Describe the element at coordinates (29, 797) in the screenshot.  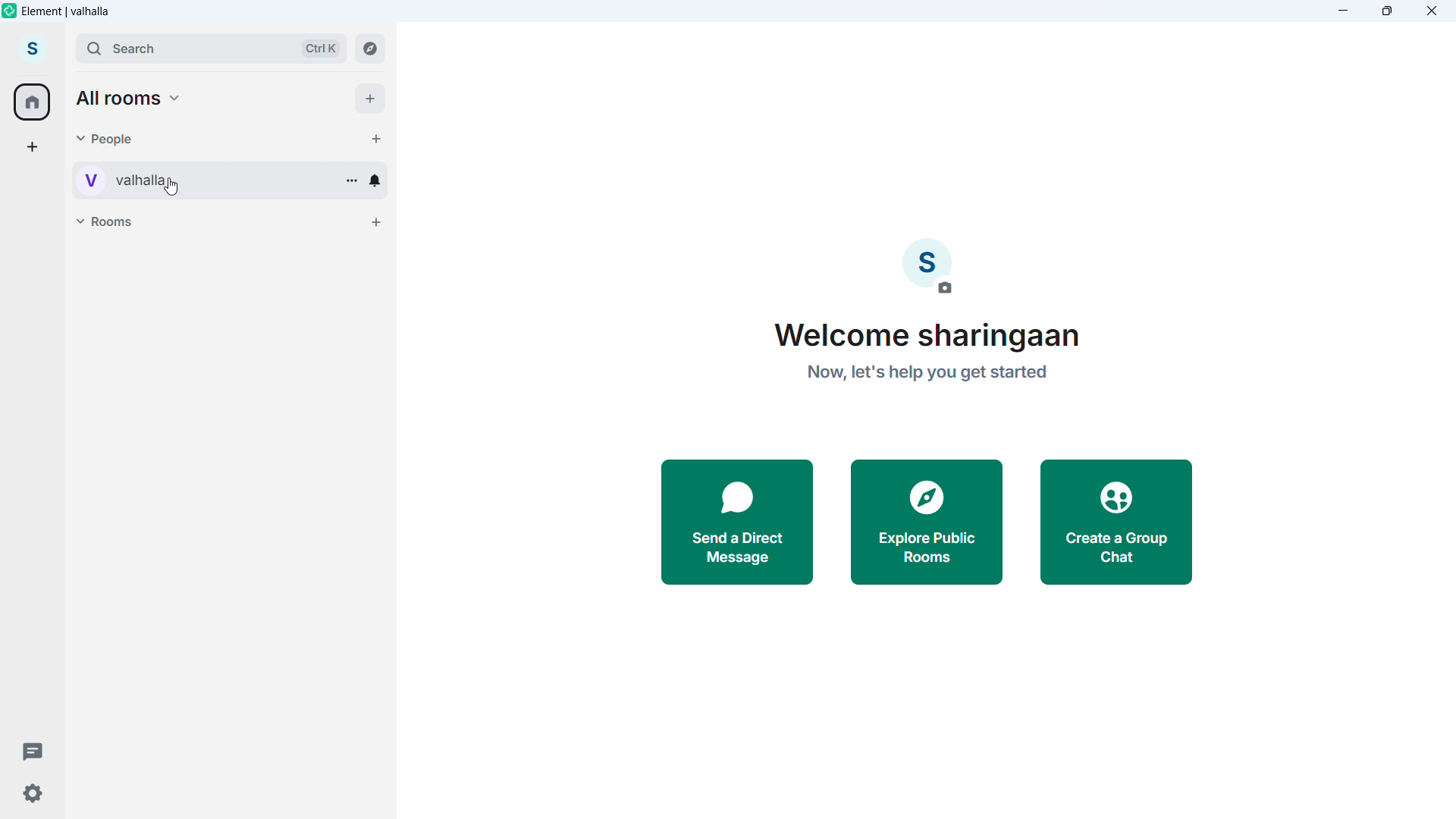
I see `Settings` at that location.